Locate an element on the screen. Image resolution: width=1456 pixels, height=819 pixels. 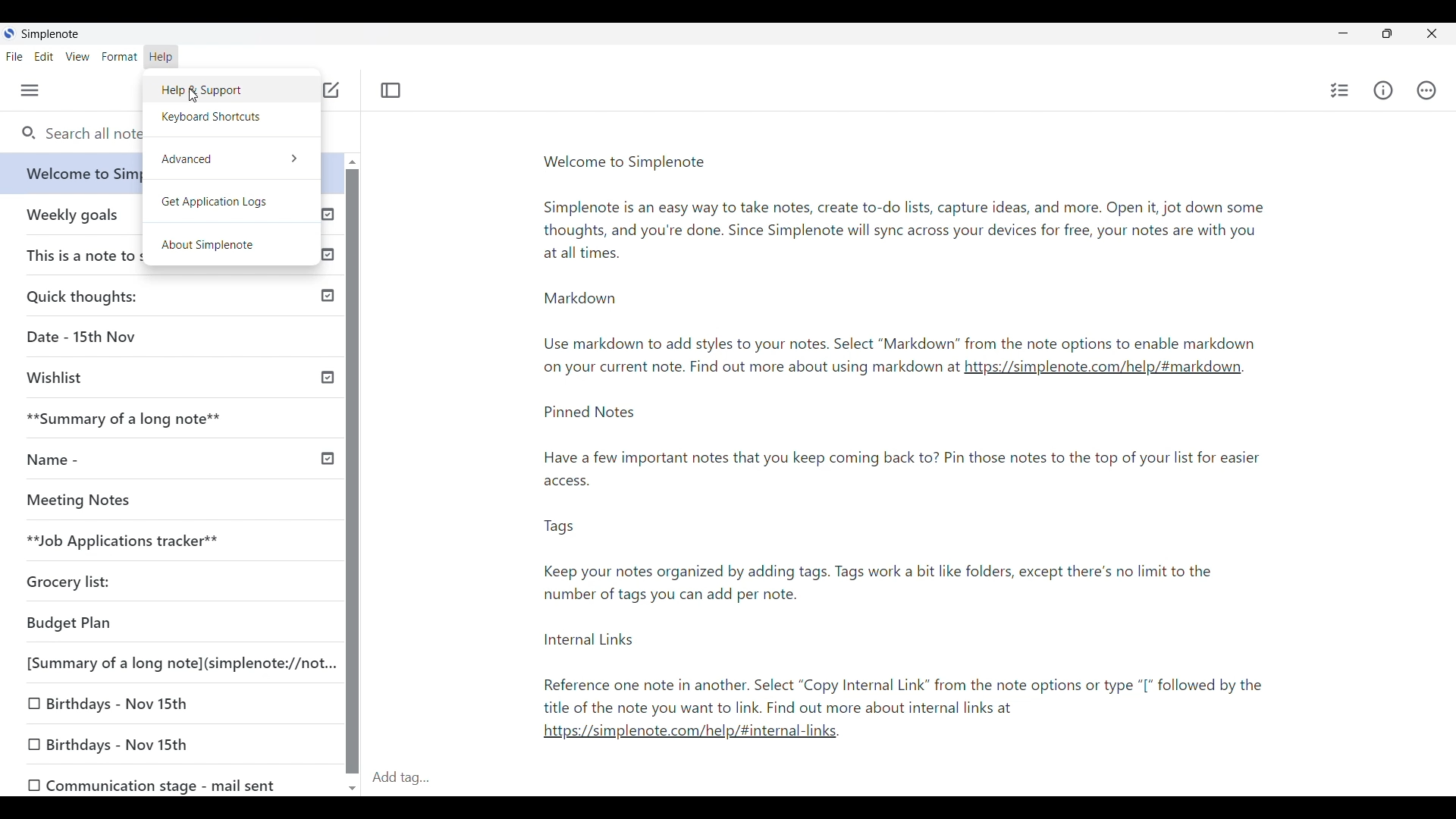
0 Birthdays - Nov 15th is located at coordinates (99, 704).